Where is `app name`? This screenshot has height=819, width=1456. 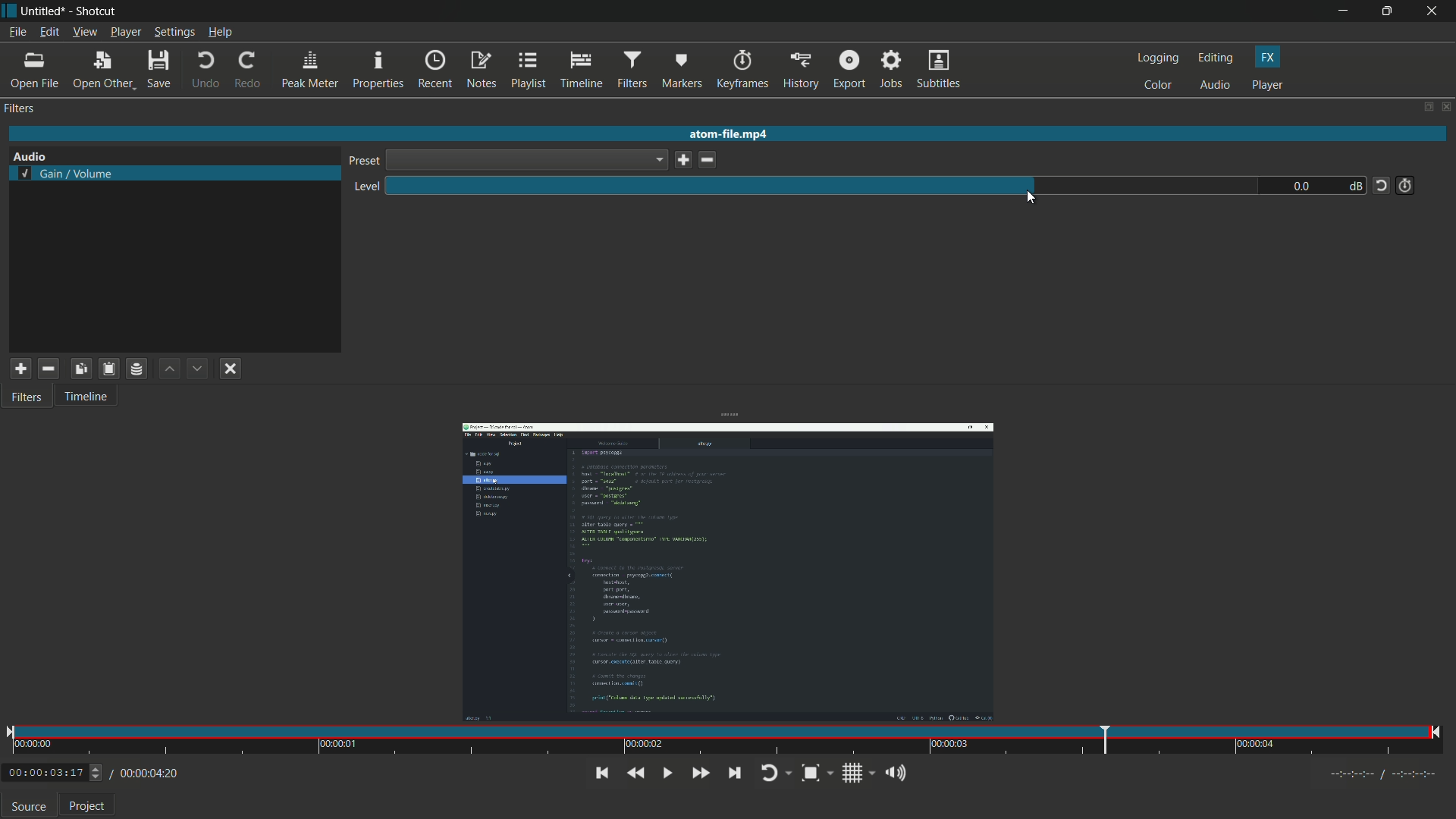
app name is located at coordinates (94, 11).